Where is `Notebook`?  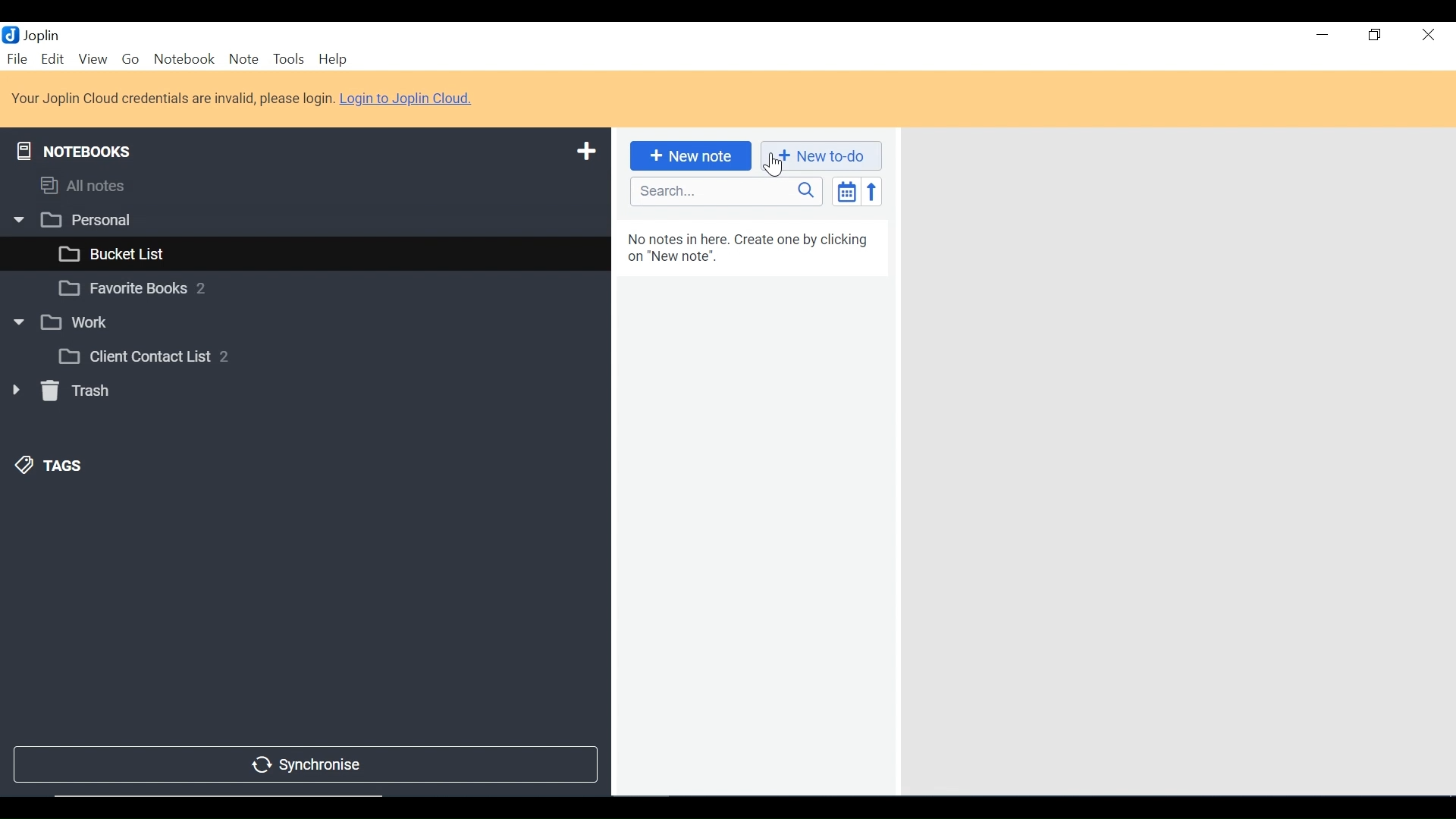 Notebook is located at coordinates (328, 356).